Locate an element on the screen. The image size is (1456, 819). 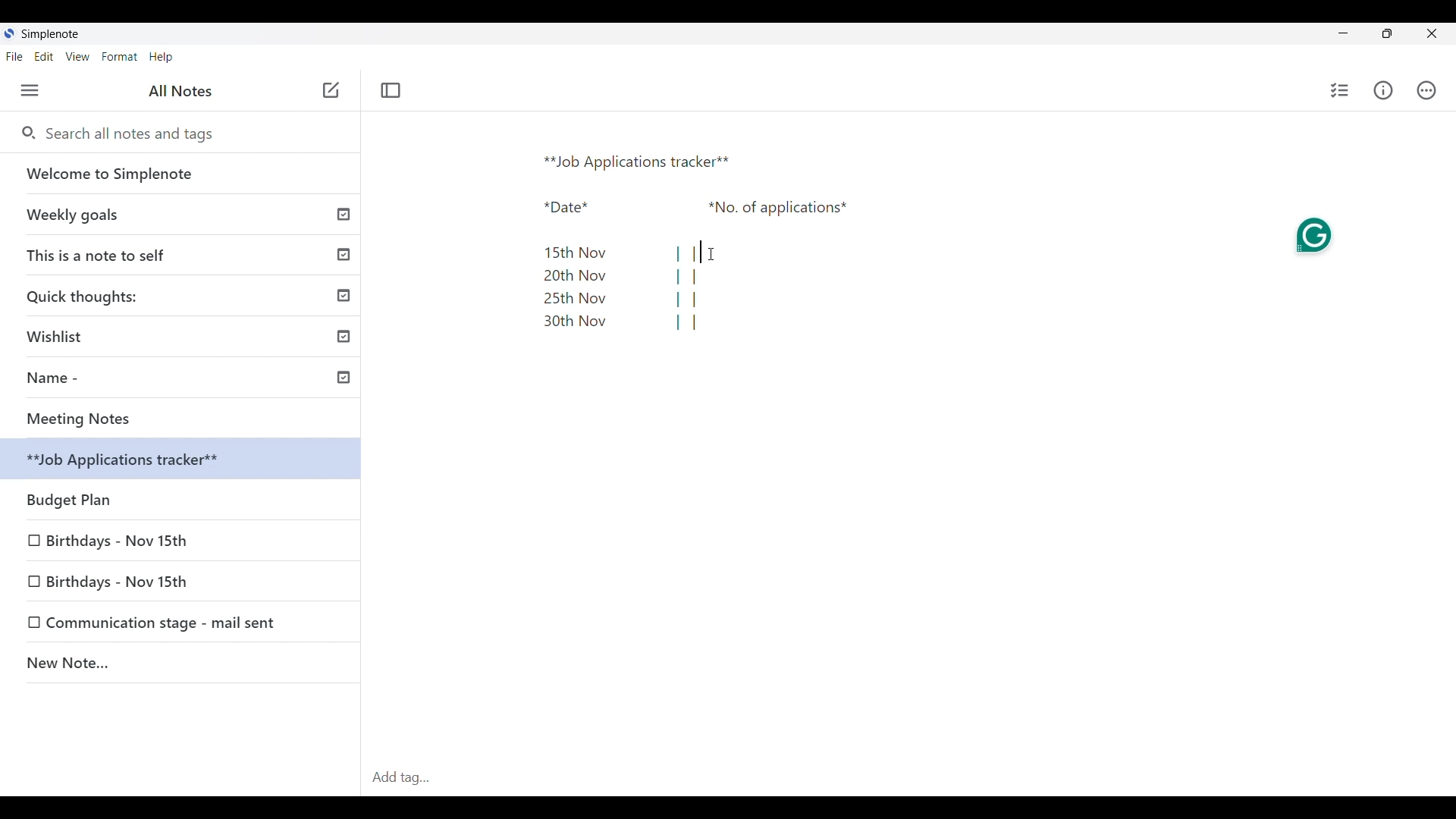
Wishlist is located at coordinates (186, 334).